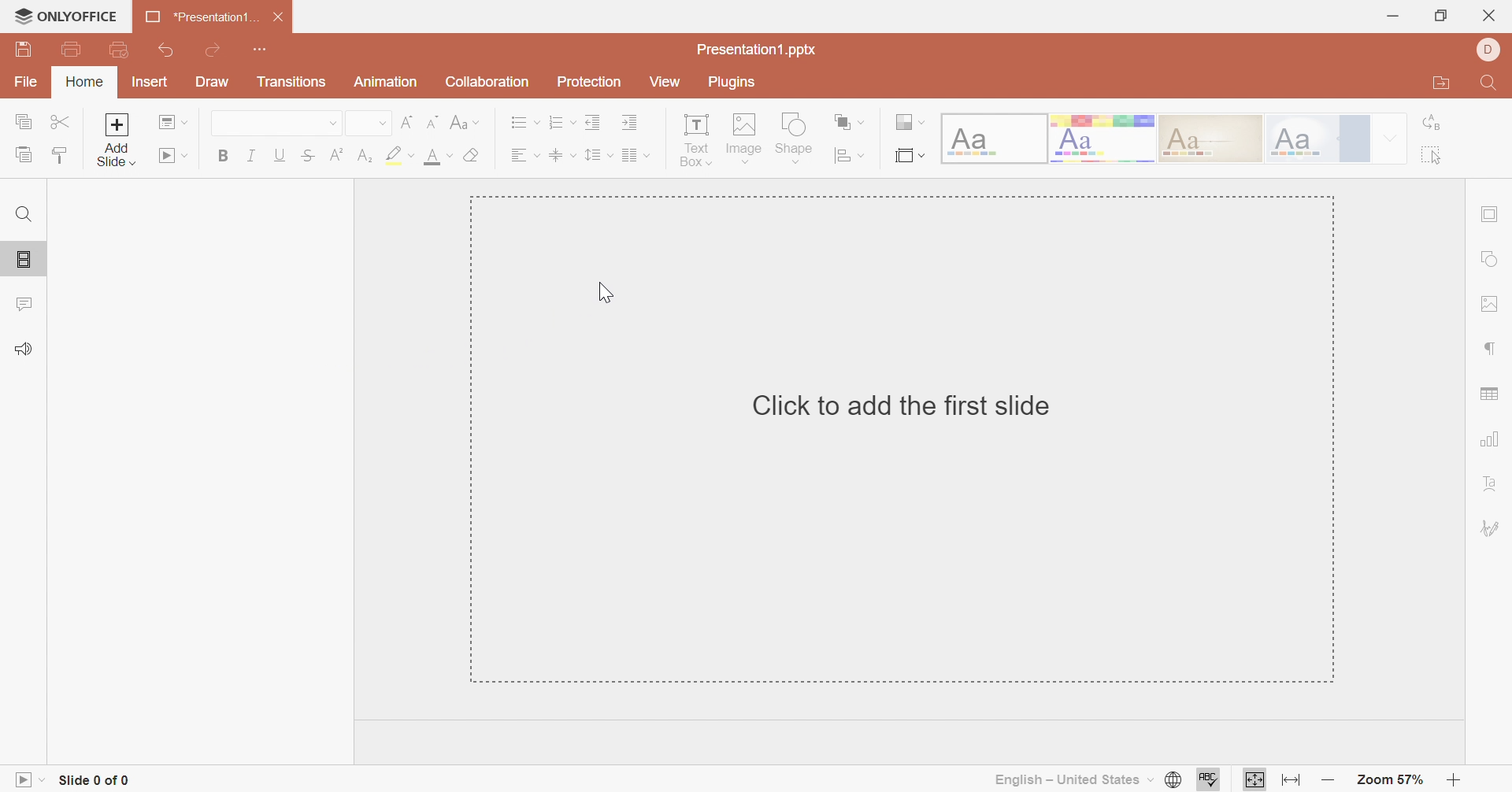 This screenshot has height=792, width=1512. What do you see at coordinates (1487, 257) in the screenshot?
I see `Shape settings` at bounding box center [1487, 257].